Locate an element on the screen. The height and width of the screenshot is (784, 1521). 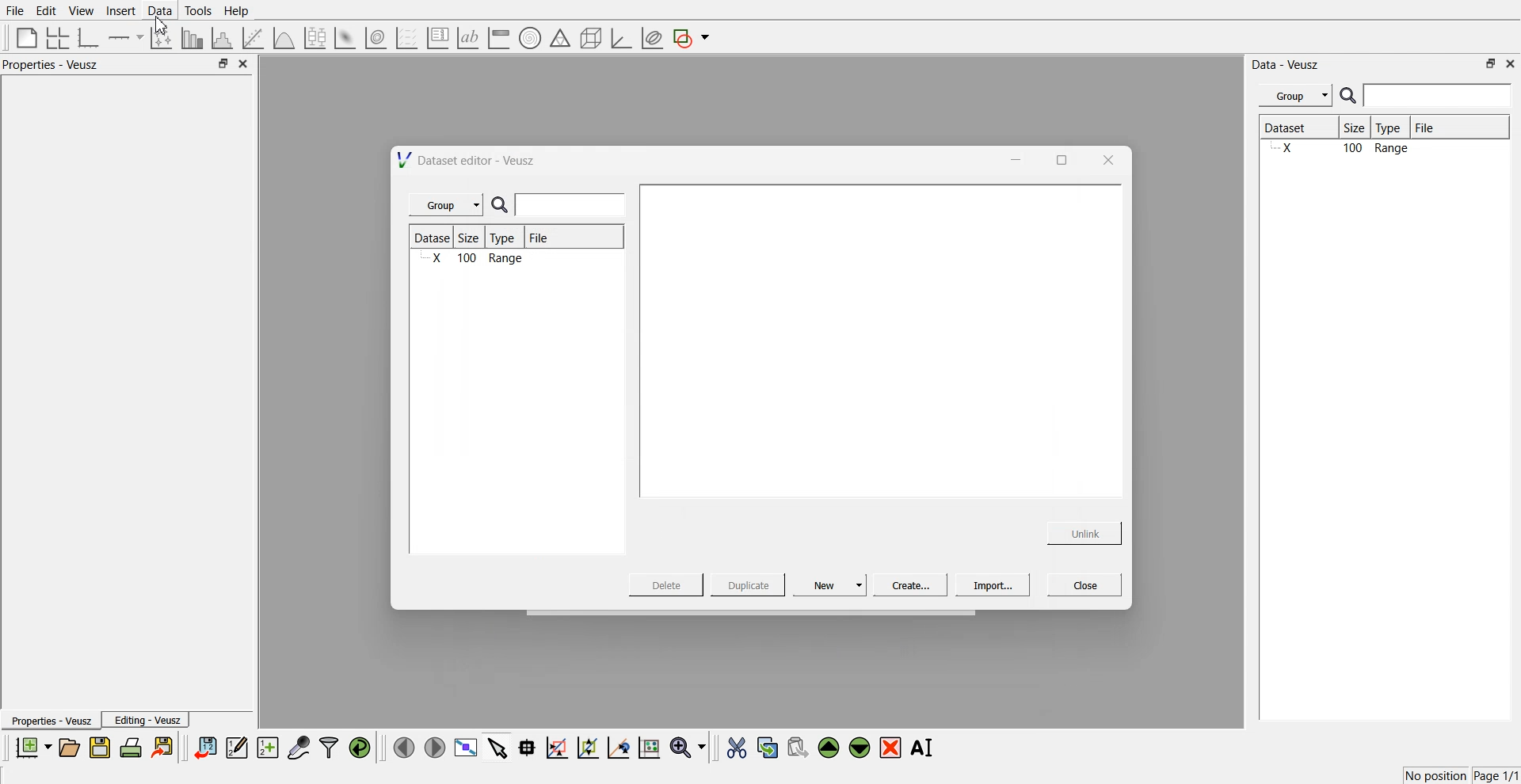
save is located at coordinates (102, 748).